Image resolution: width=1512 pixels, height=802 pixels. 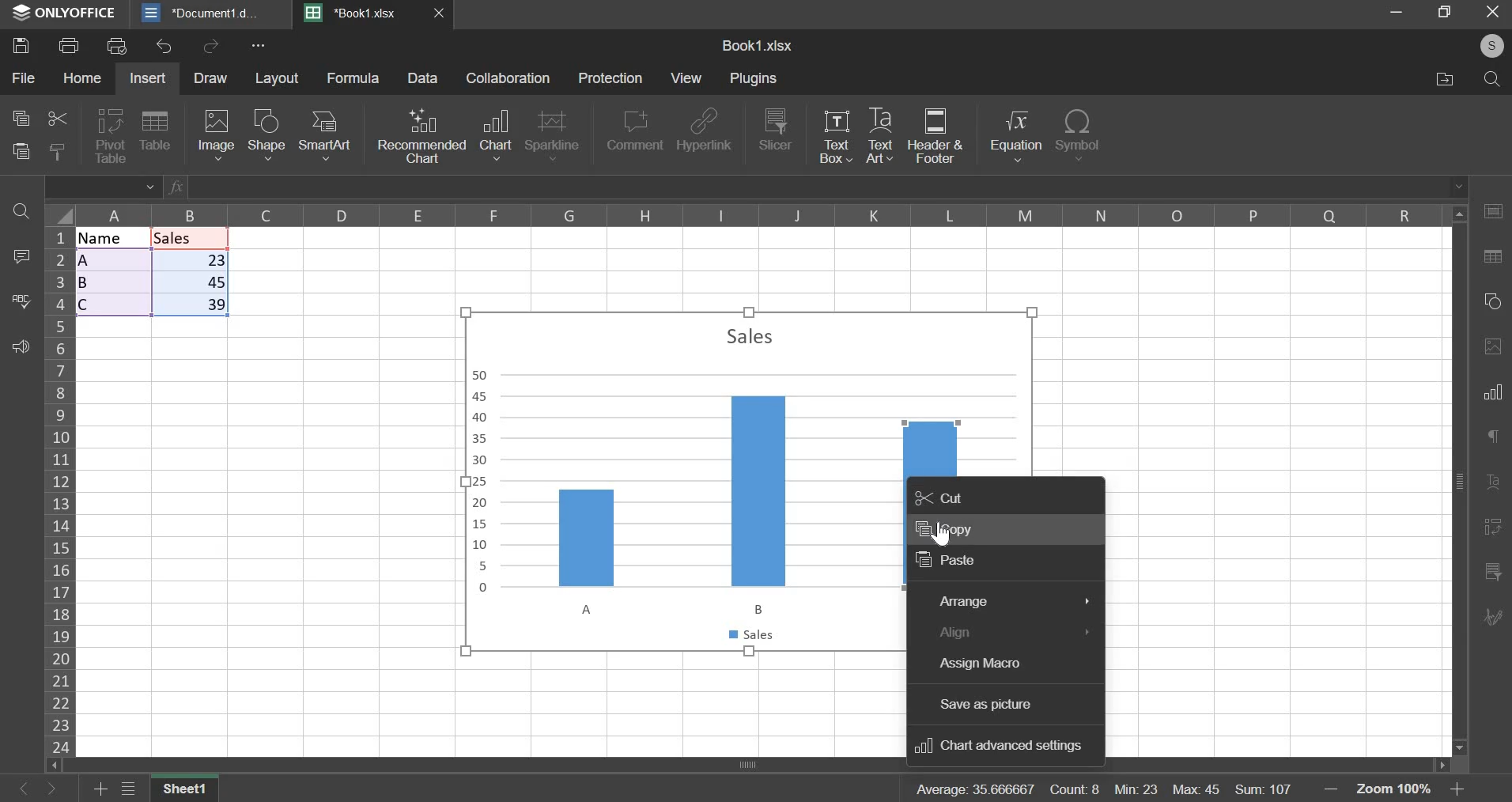 What do you see at coordinates (1445, 16) in the screenshot?
I see `maximize` at bounding box center [1445, 16].